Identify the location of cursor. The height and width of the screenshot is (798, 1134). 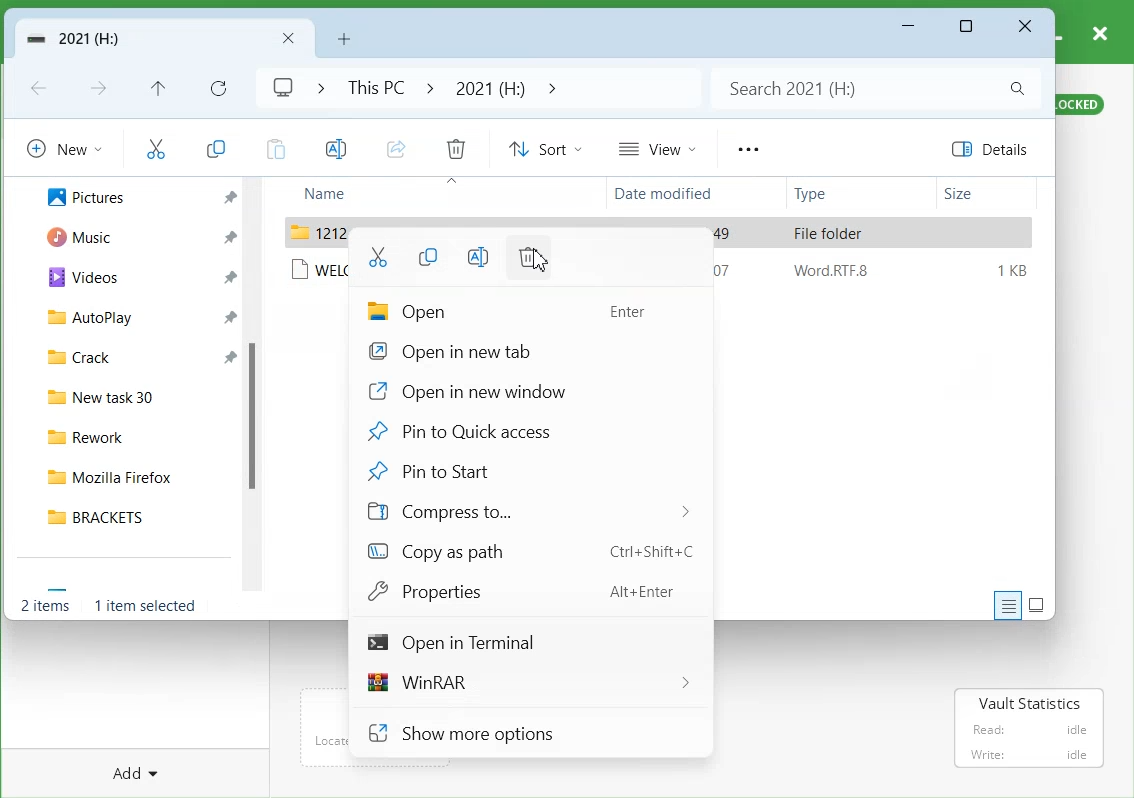
(542, 262).